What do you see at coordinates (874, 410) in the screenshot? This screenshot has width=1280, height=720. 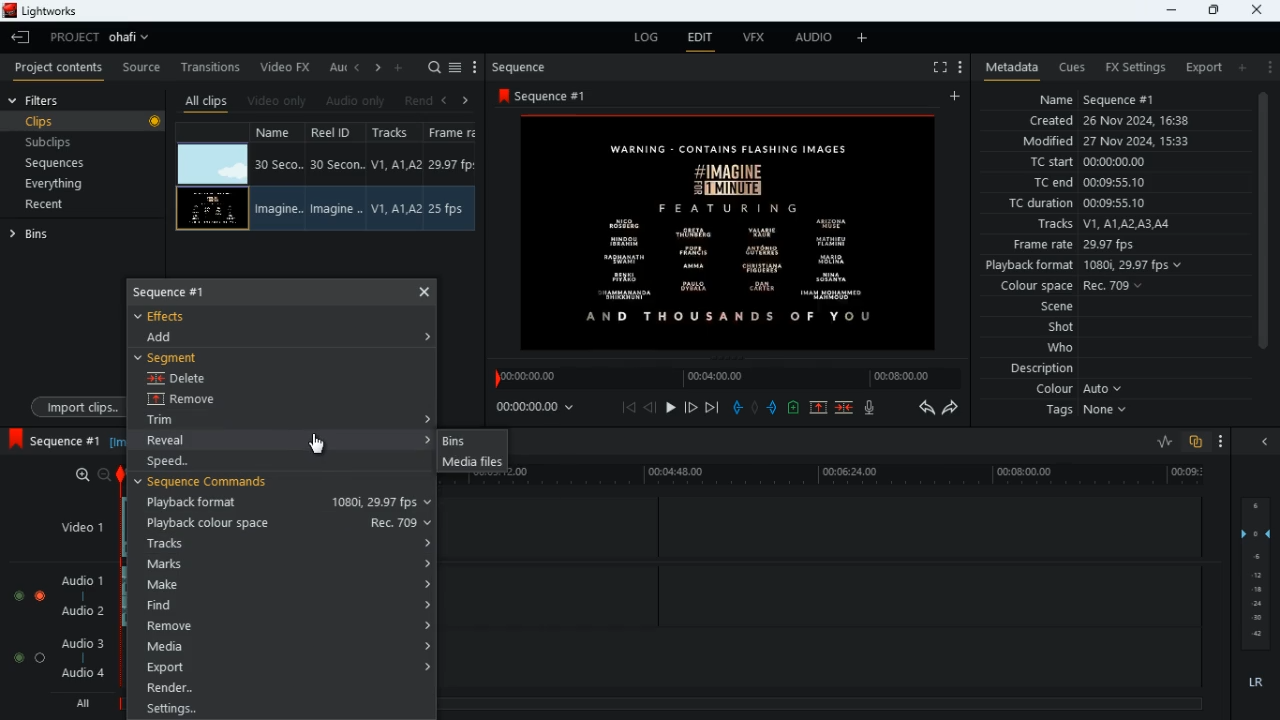 I see `mic` at bounding box center [874, 410].